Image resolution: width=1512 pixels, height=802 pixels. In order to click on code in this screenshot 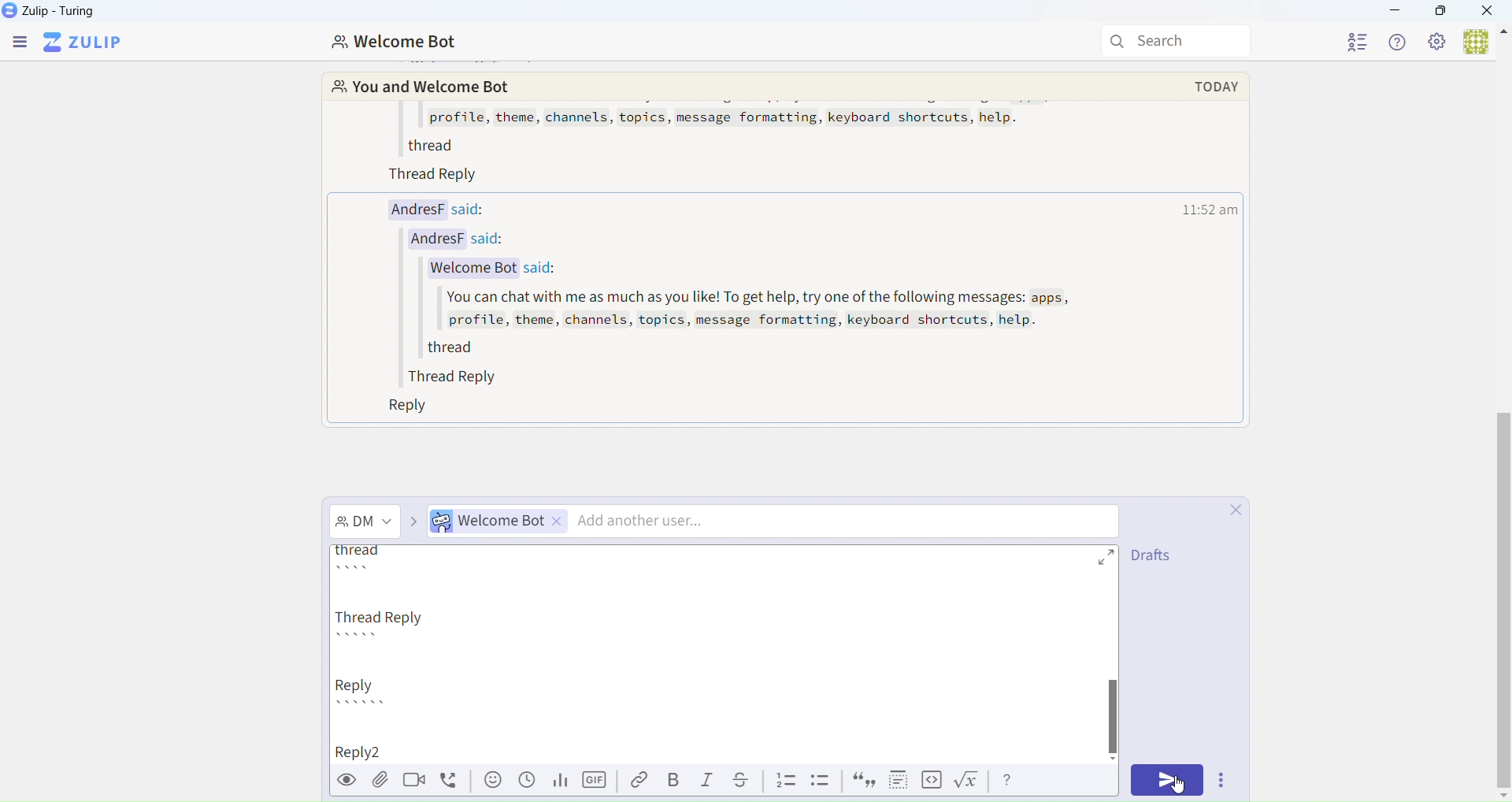, I will do `click(932, 782)`.